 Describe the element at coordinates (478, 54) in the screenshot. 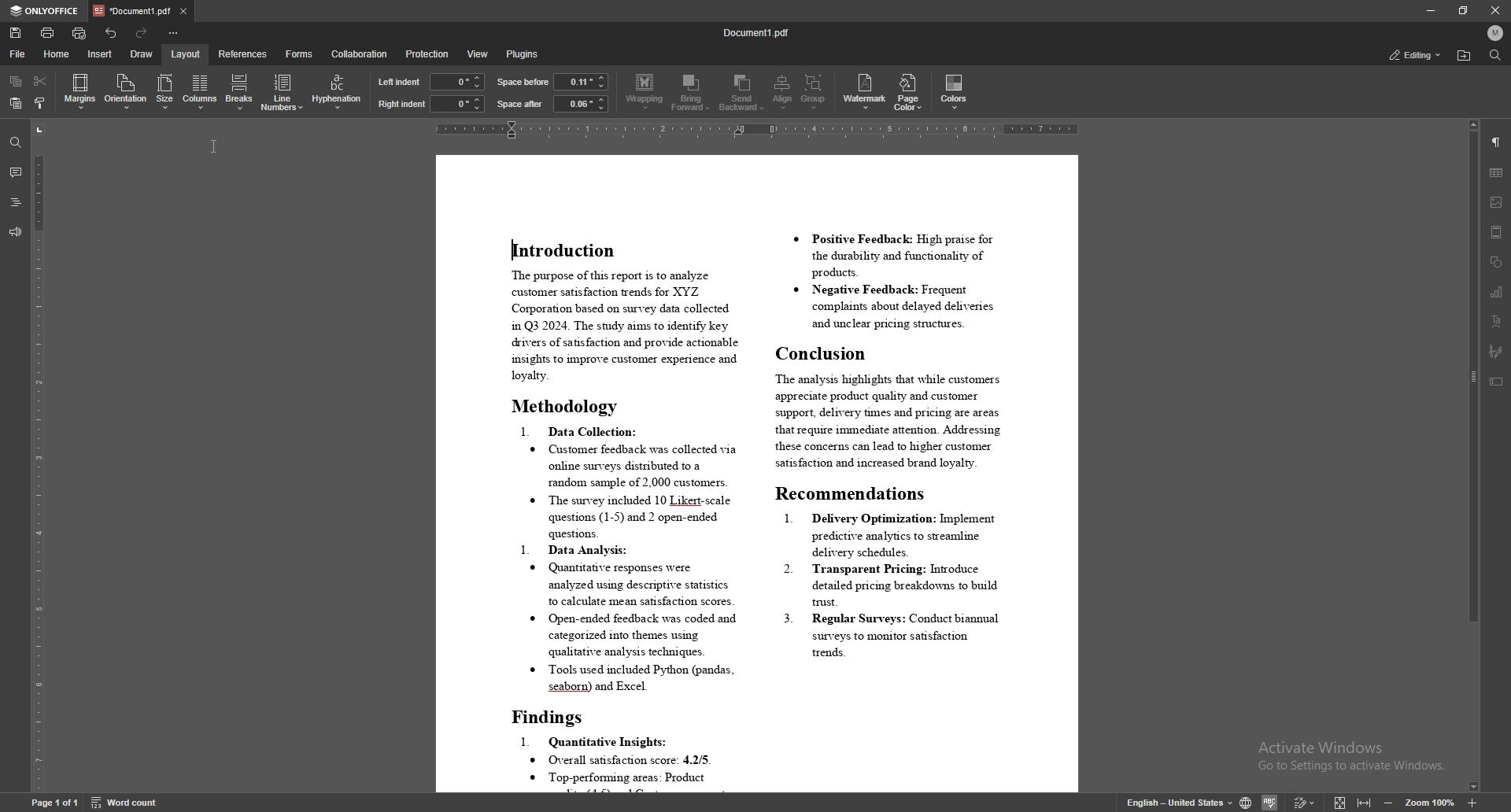

I see `view` at that location.